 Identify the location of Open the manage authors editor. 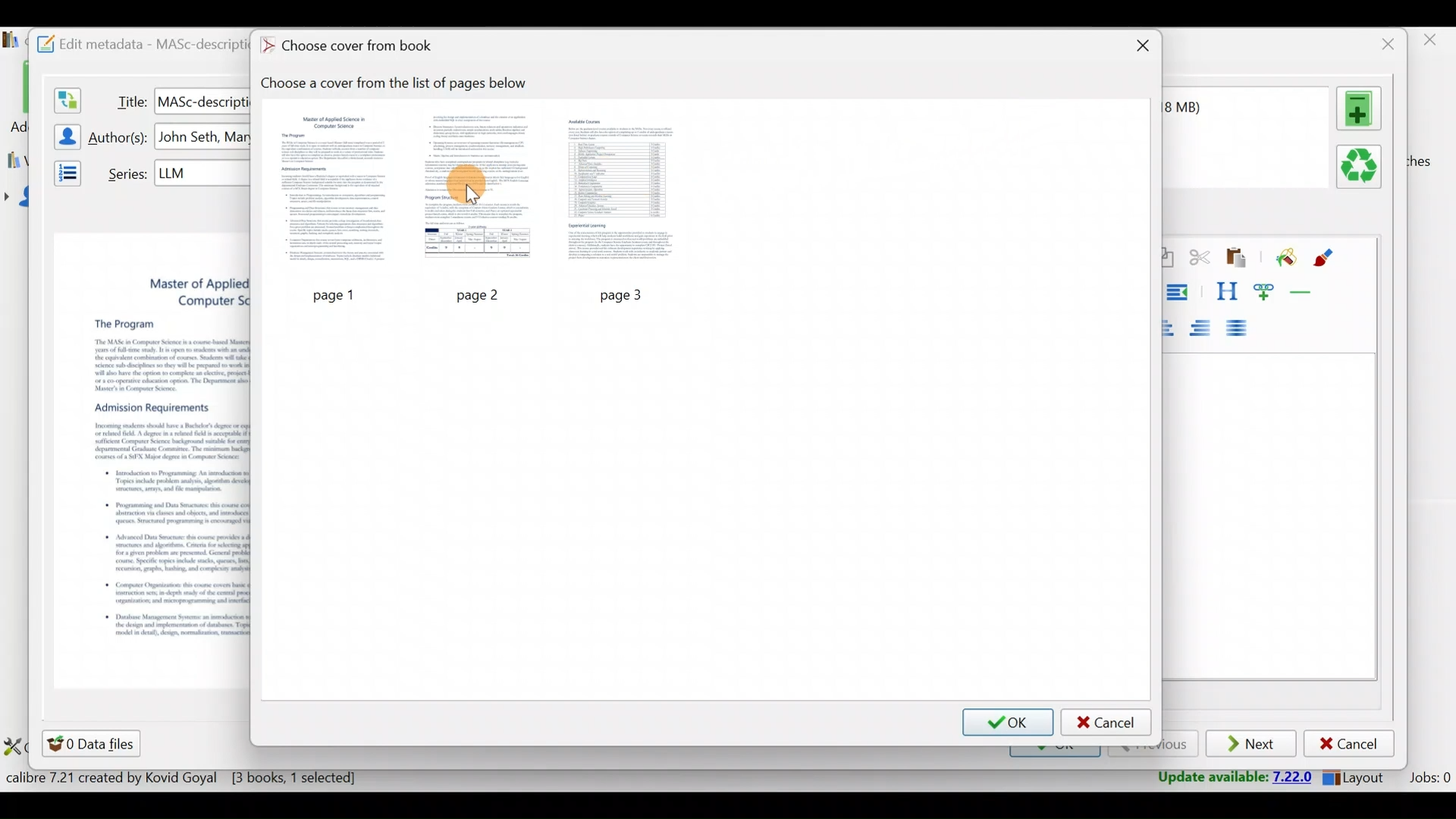
(63, 134).